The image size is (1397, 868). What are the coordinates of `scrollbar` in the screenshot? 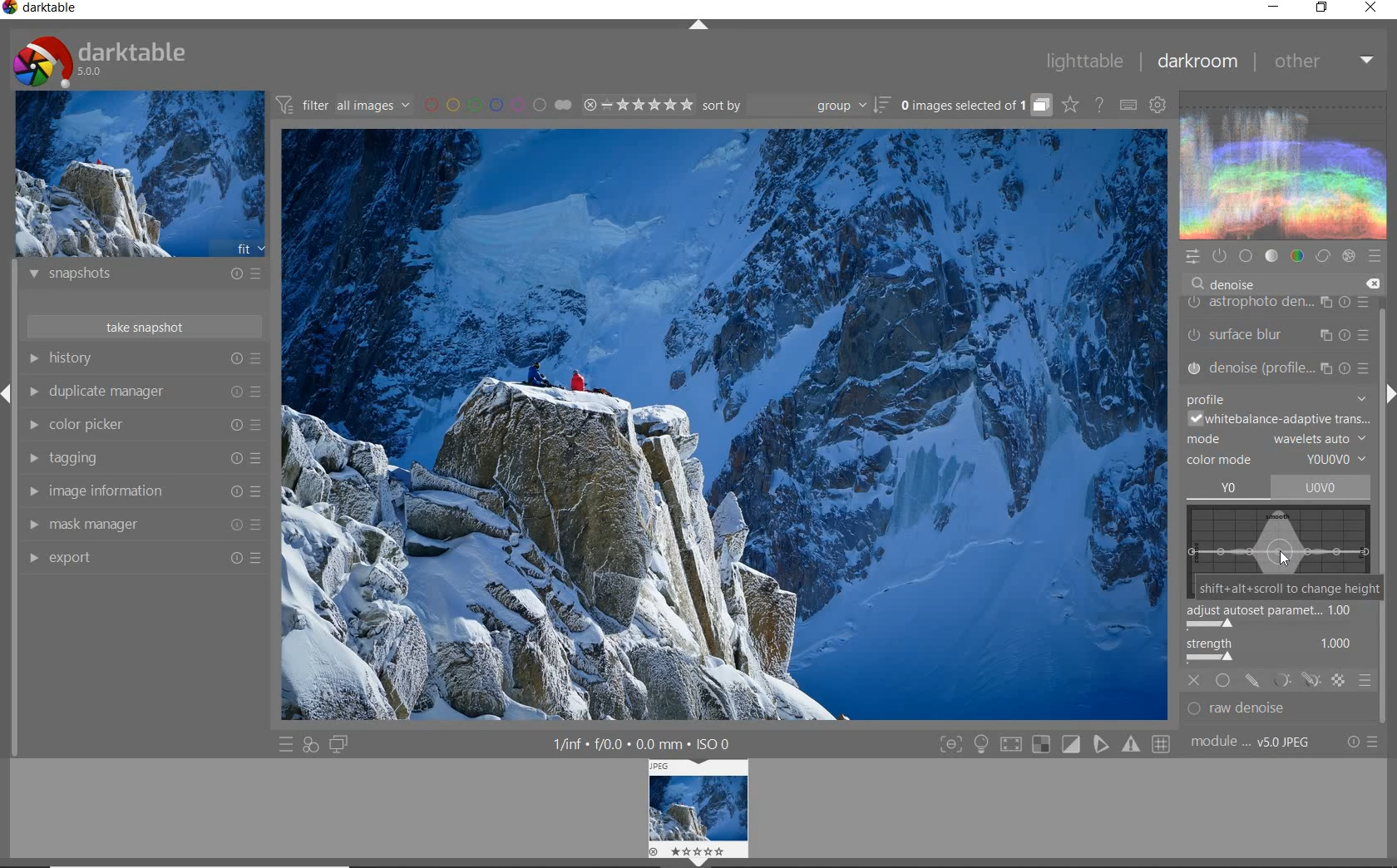 It's located at (1383, 448).